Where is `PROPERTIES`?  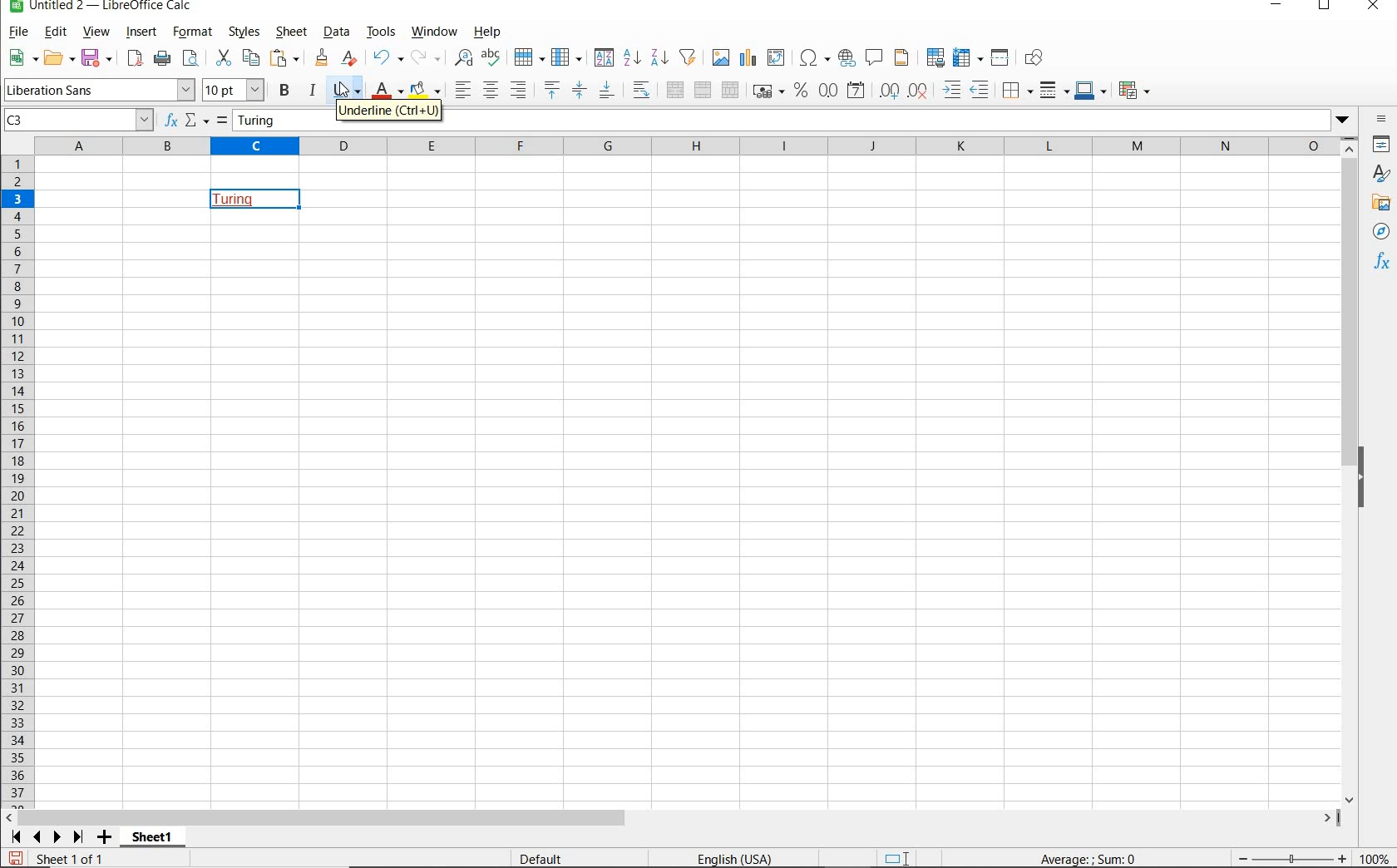
PROPERTIES is located at coordinates (1383, 146).